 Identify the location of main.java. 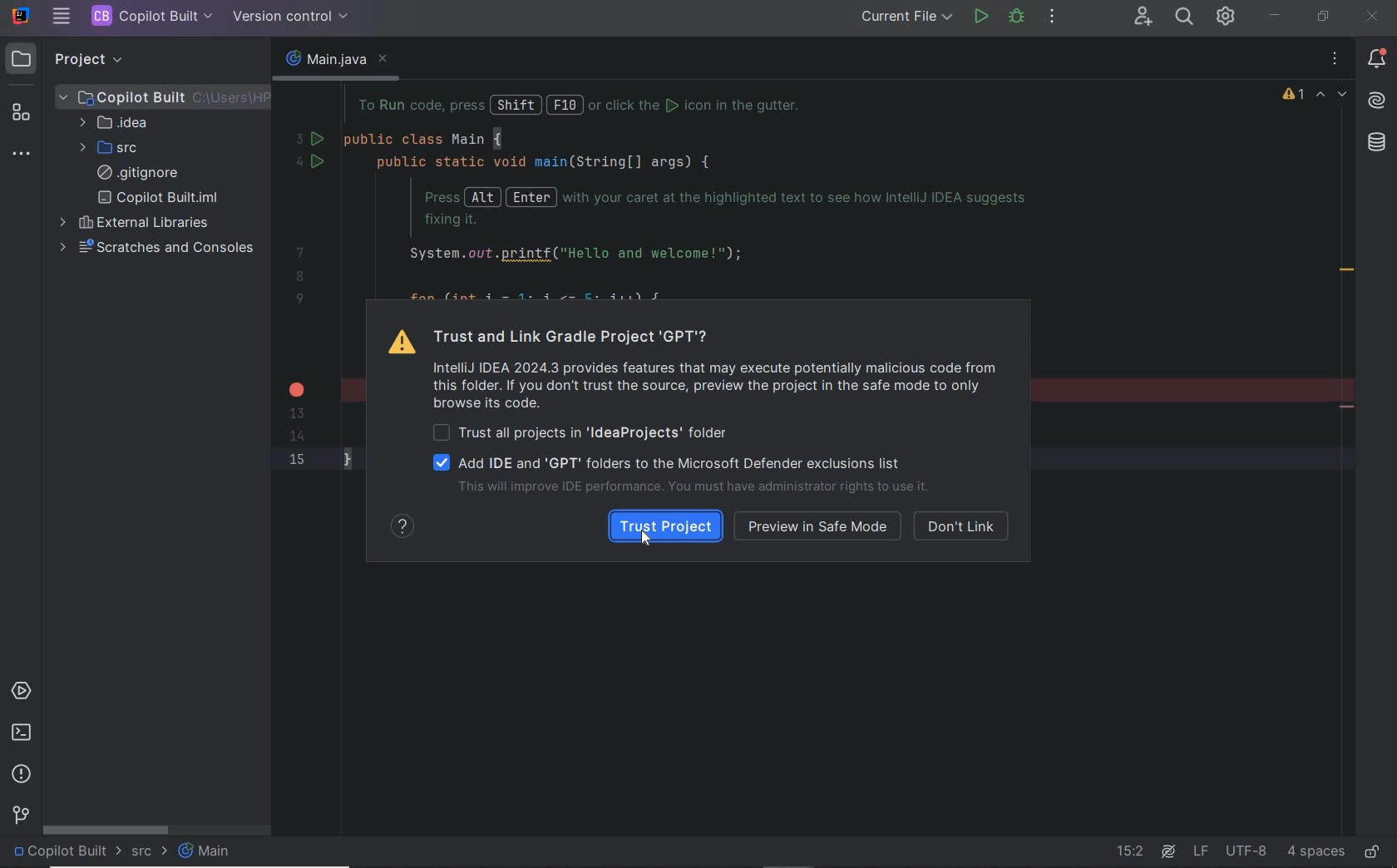
(334, 58).